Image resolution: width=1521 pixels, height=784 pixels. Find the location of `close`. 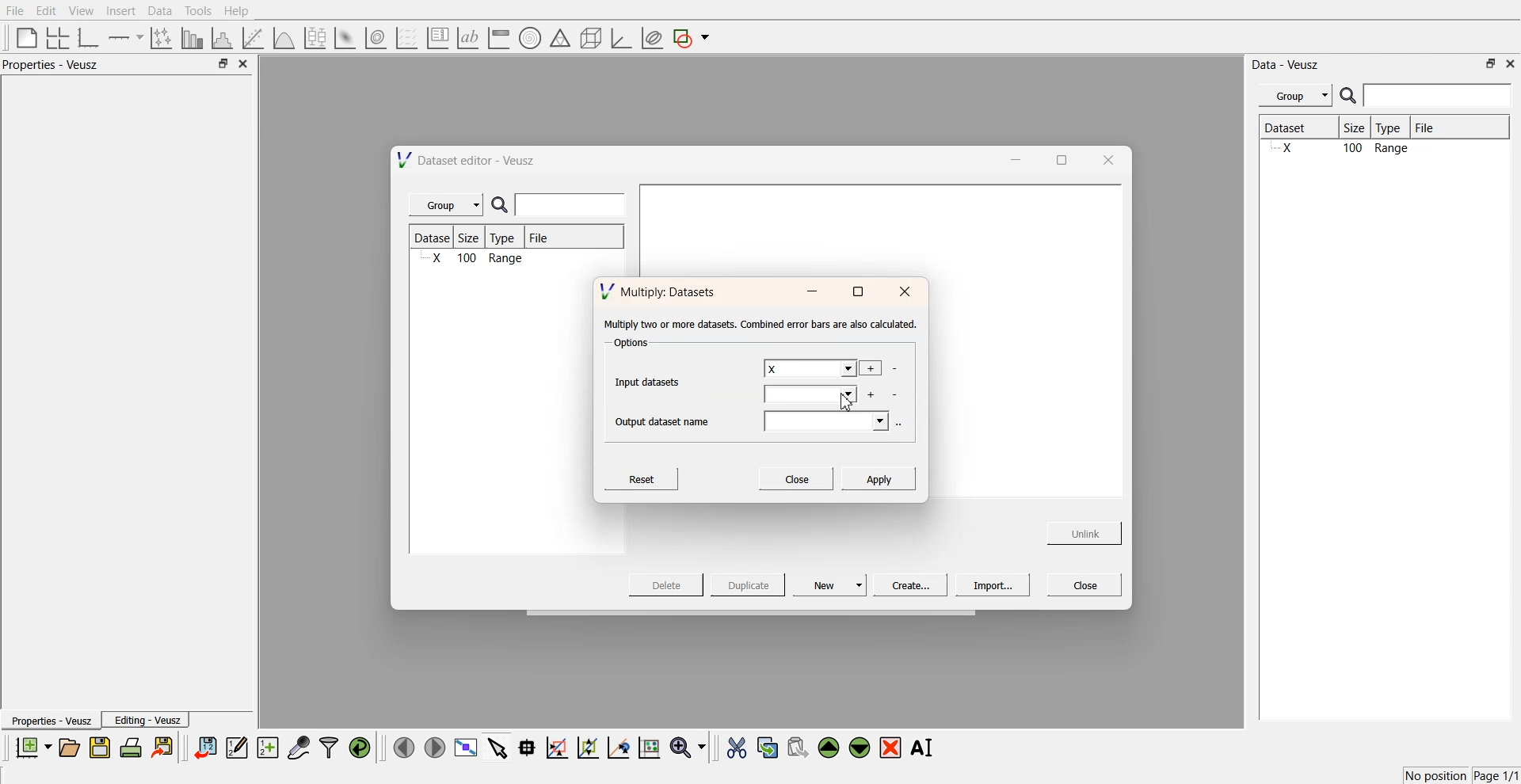

close is located at coordinates (1511, 63).